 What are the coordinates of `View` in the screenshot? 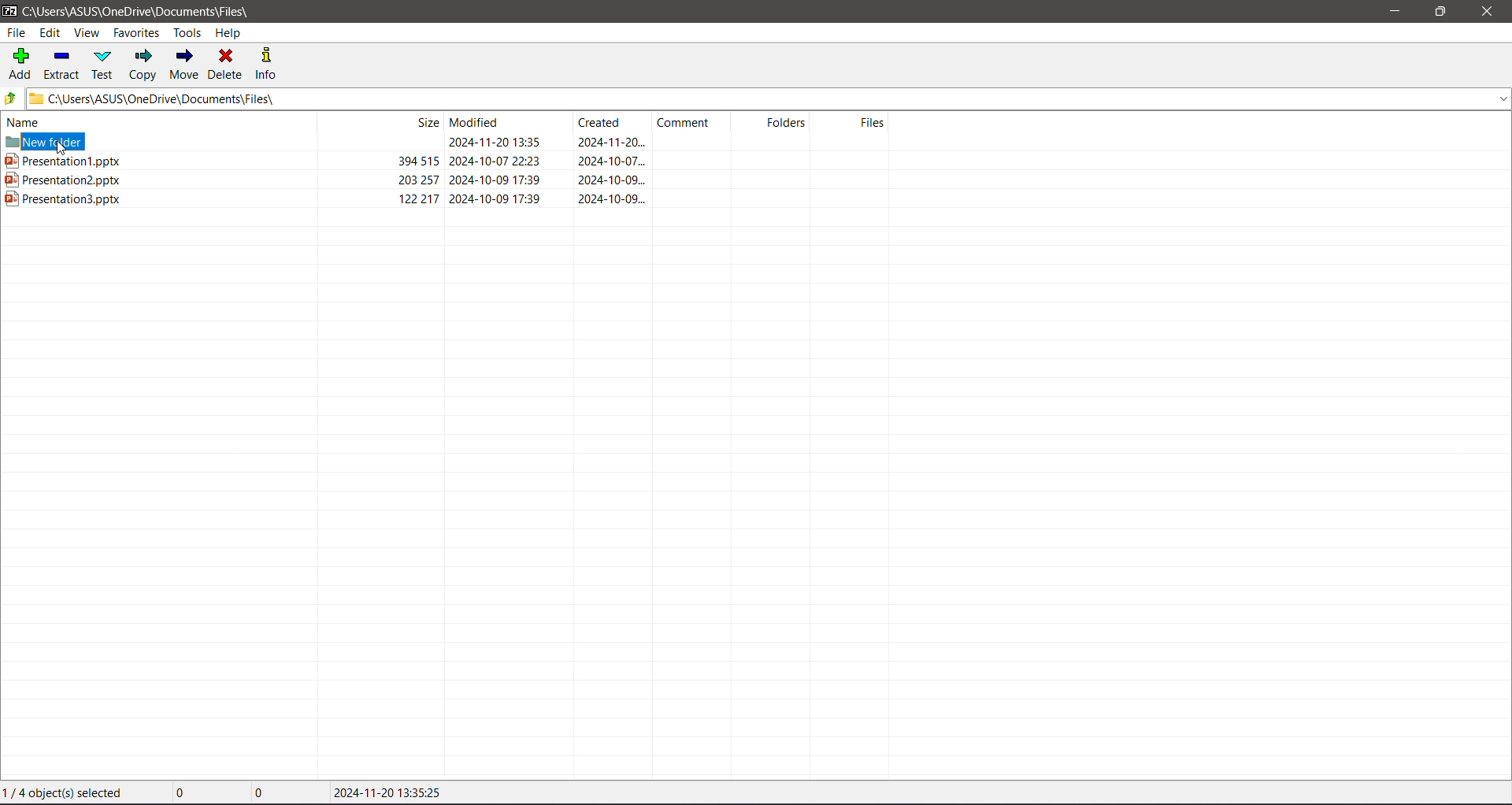 It's located at (86, 33).